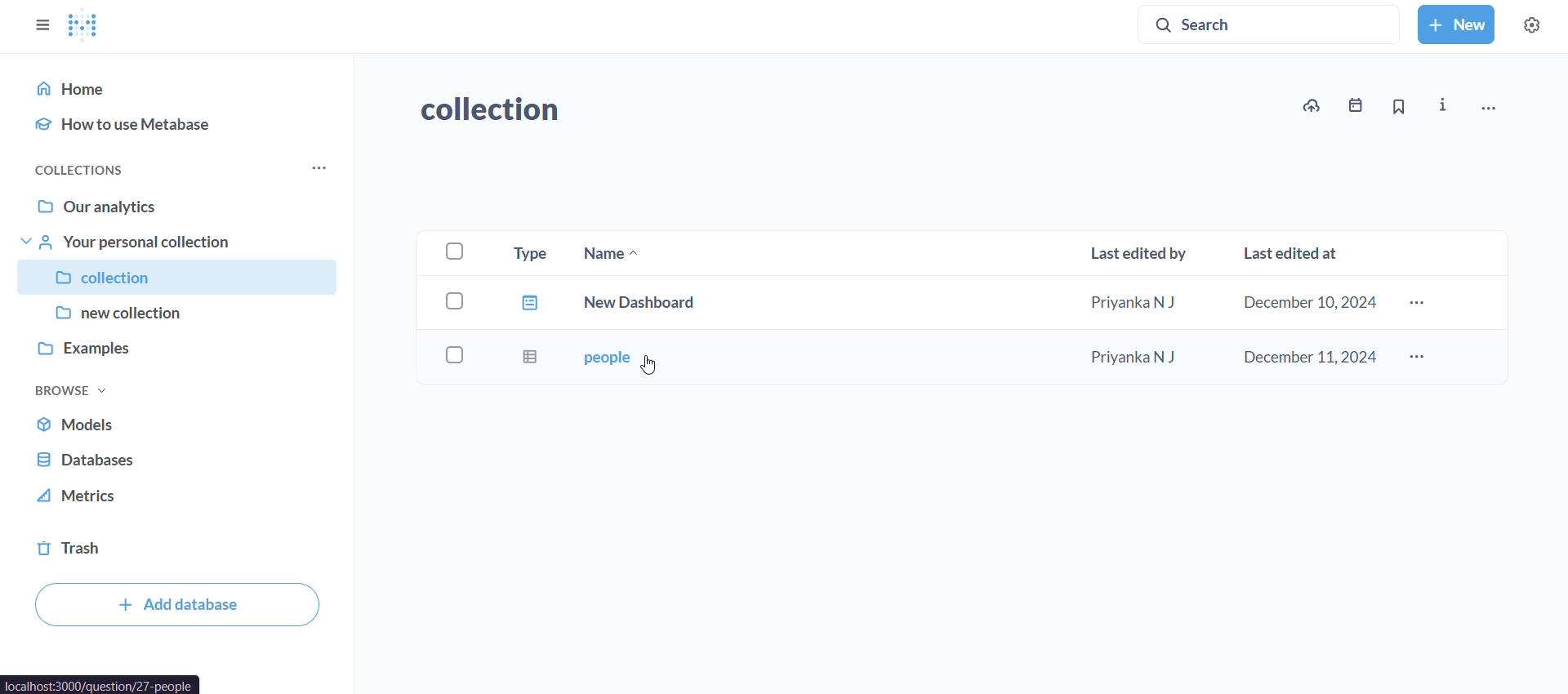  What do you see at coordinates (1271, 25) in the screenshot?
I see `search` at bounding box center [1271, 25].